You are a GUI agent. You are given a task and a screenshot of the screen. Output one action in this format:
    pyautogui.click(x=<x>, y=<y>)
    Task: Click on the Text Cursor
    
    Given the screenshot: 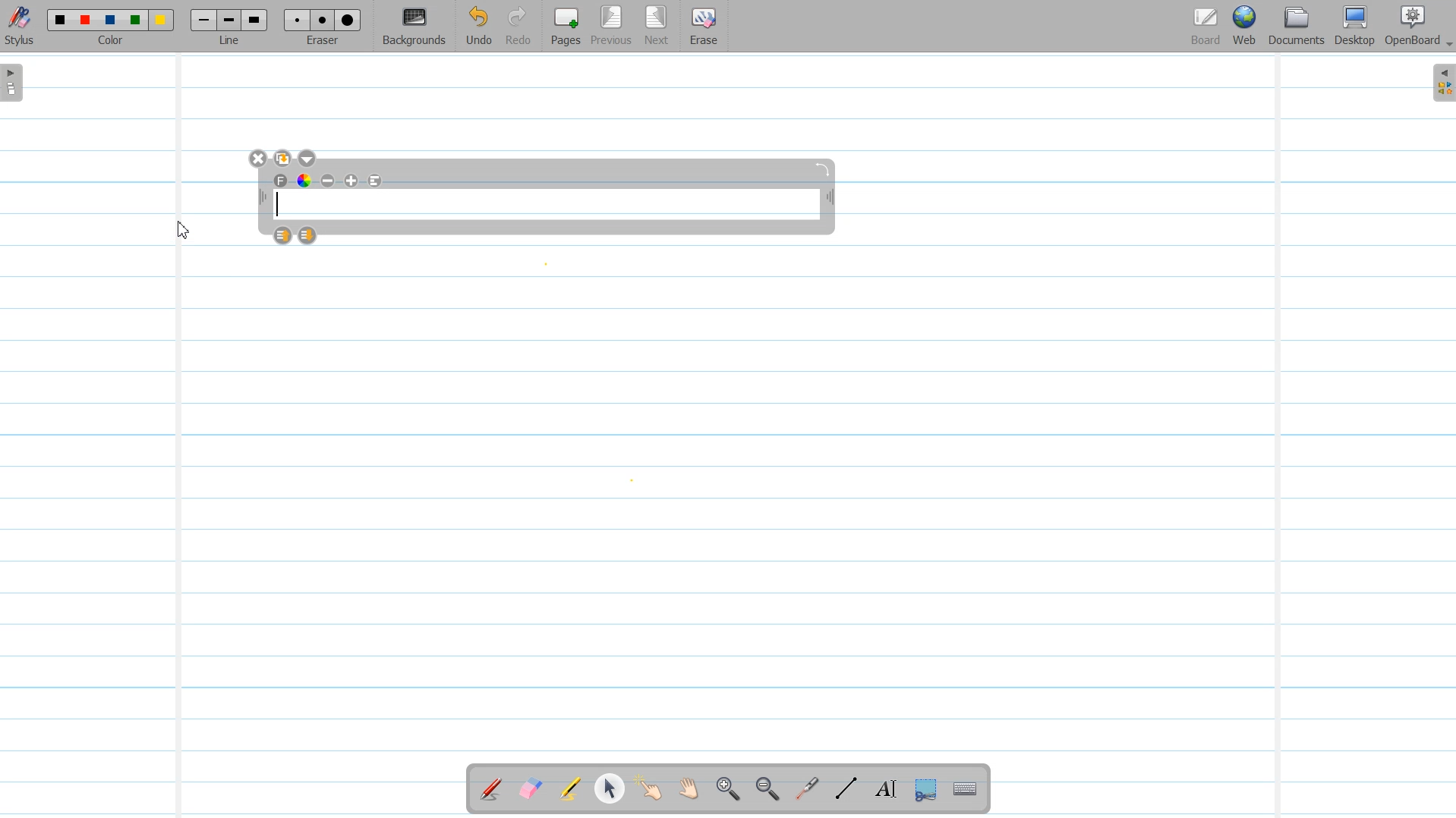 What is the action you would take?
    pyautogui.click(x=278, y=203)
    